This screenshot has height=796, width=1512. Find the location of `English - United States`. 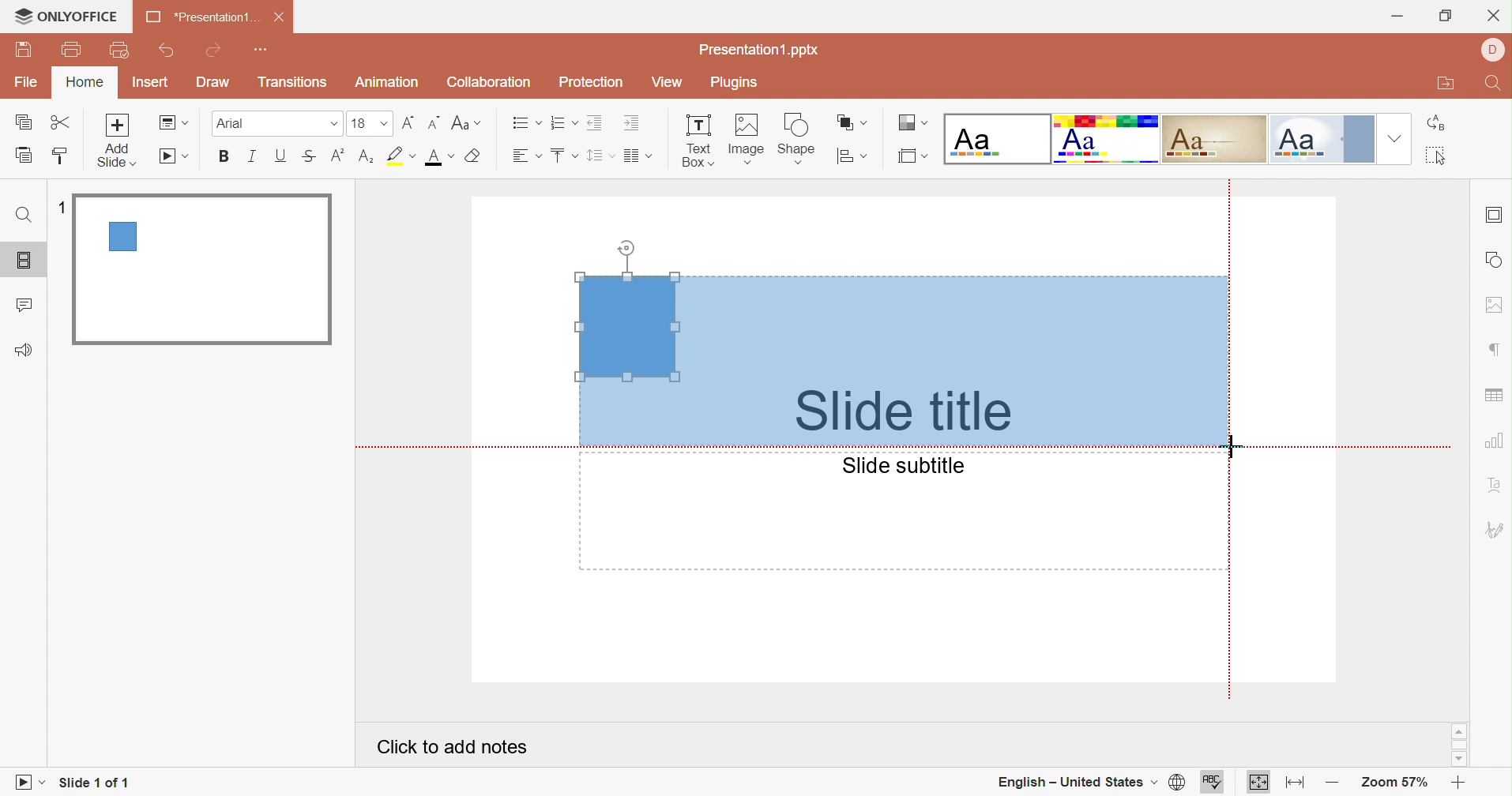

English - United States is located at coordinates (1074, 783).